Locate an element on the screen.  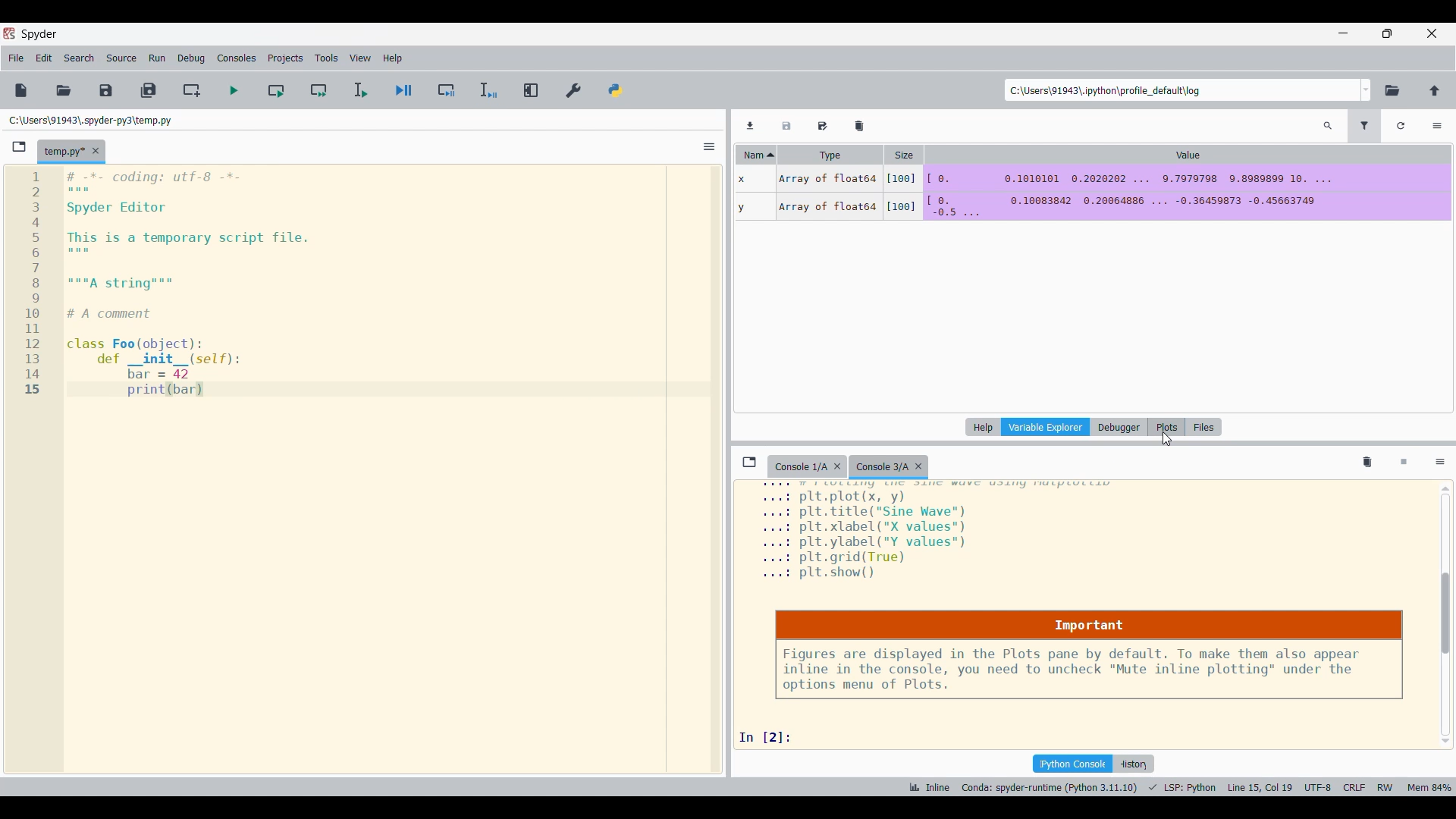
PROGRAMMING LANGUAGE is located at coordinates (1183, 787).